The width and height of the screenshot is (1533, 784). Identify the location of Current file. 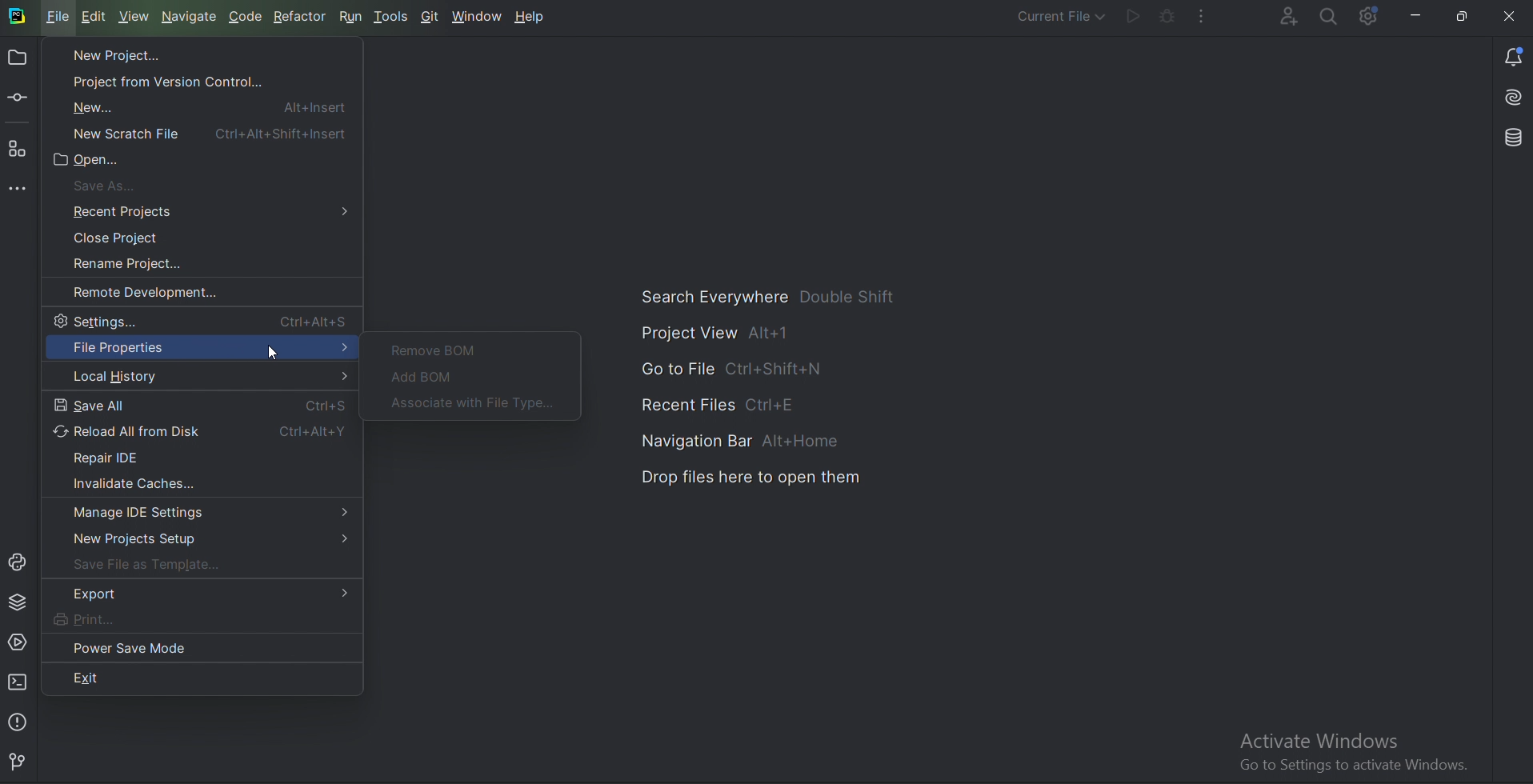
(1060, 14).